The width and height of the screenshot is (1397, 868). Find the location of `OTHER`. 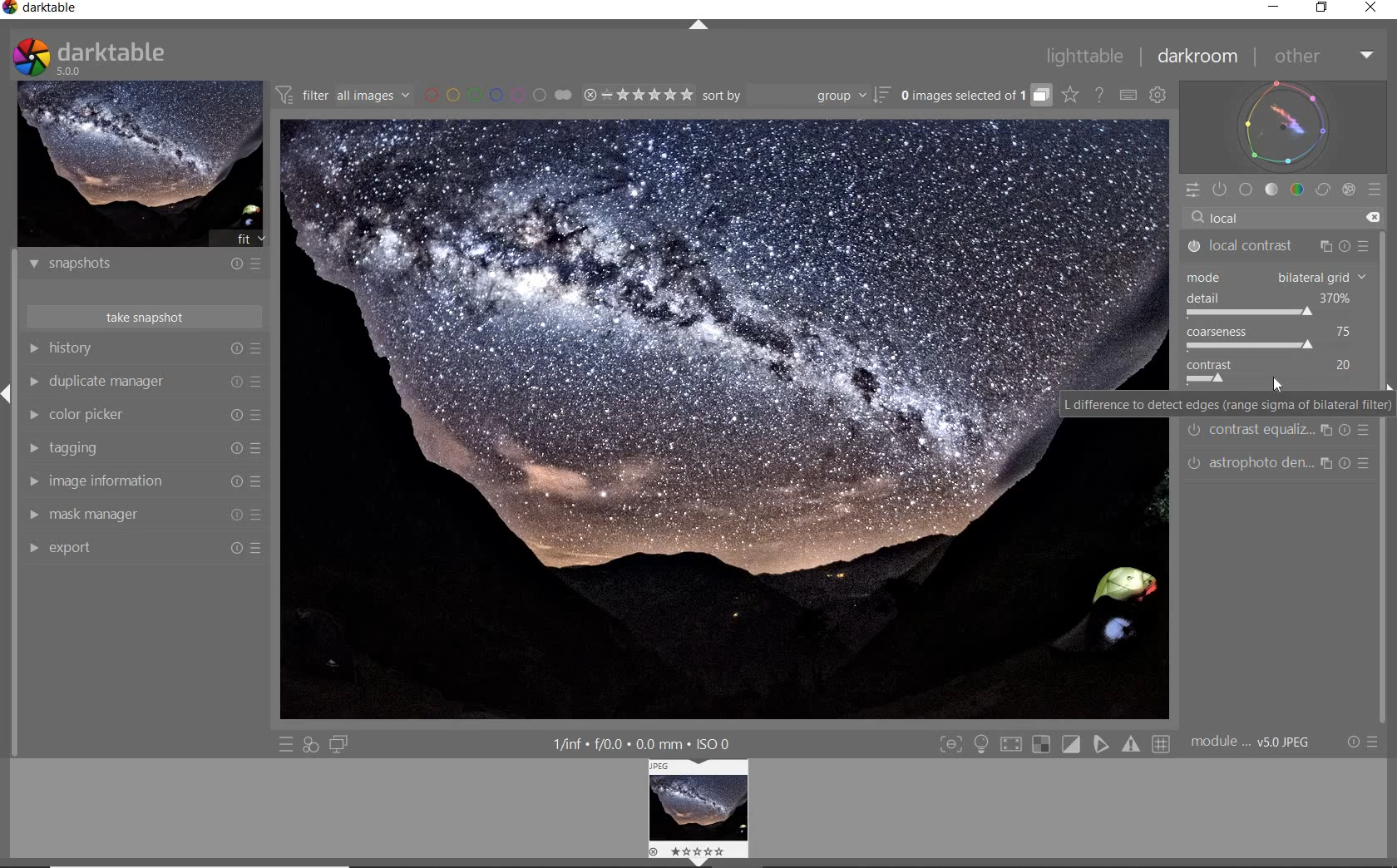

OTHER is located at coordinates (1324, 57).